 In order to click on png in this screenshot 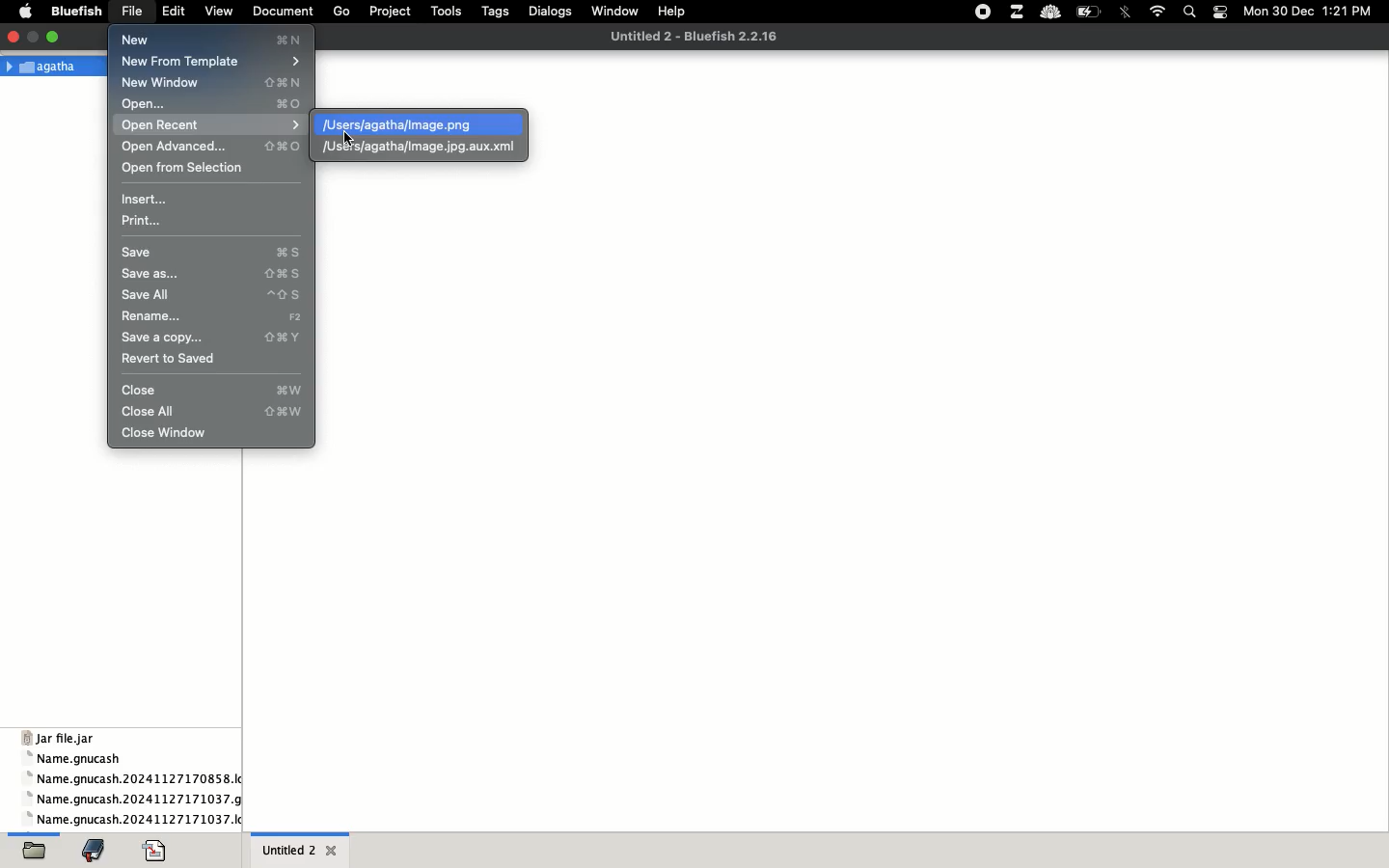, I will do `click(395, 124)`.